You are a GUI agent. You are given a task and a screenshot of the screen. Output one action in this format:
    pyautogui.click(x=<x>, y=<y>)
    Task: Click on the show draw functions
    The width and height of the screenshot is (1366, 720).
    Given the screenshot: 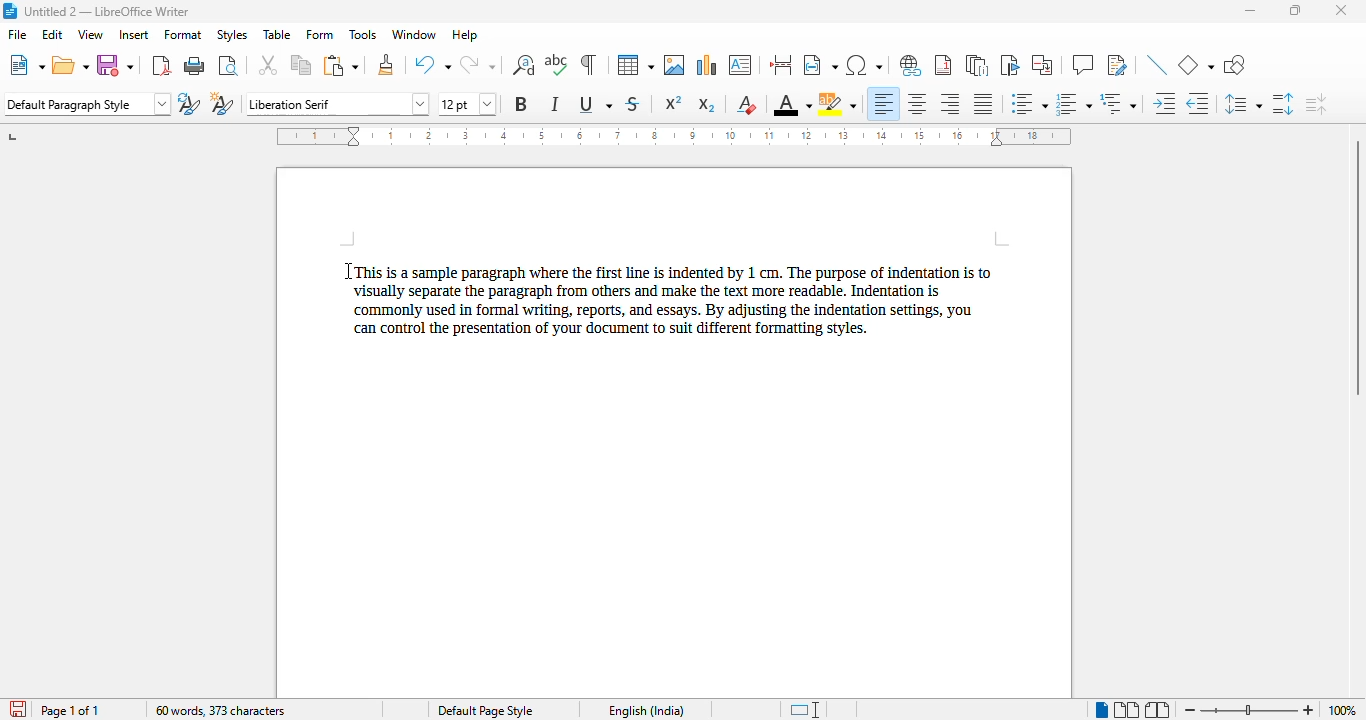 What is the action you would take?
    pyautogui.click(x=1236, y=65)
    